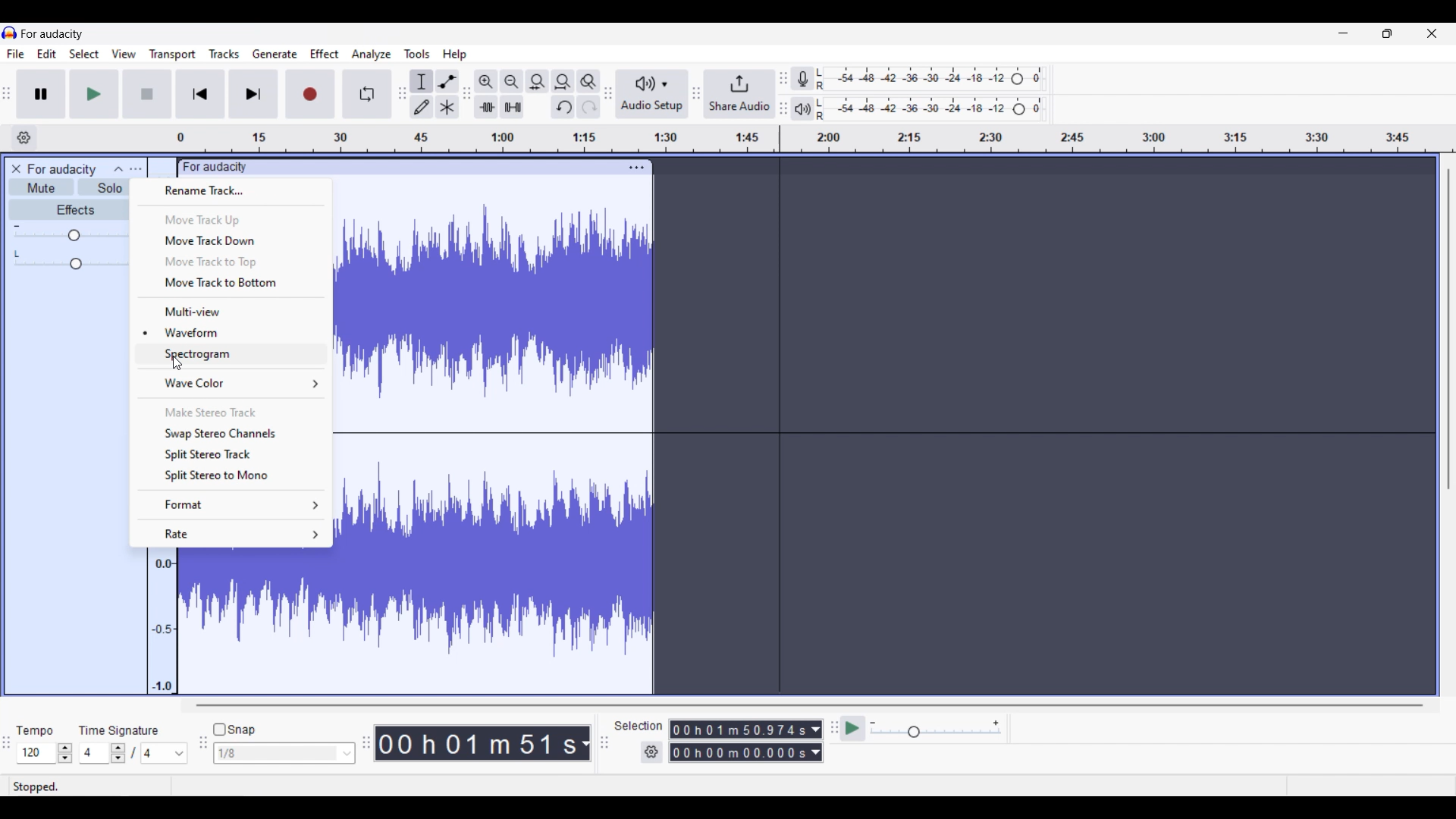  Describe the element at coordinates (499, 563) in the screenshot. I see `track waveform` at that location.